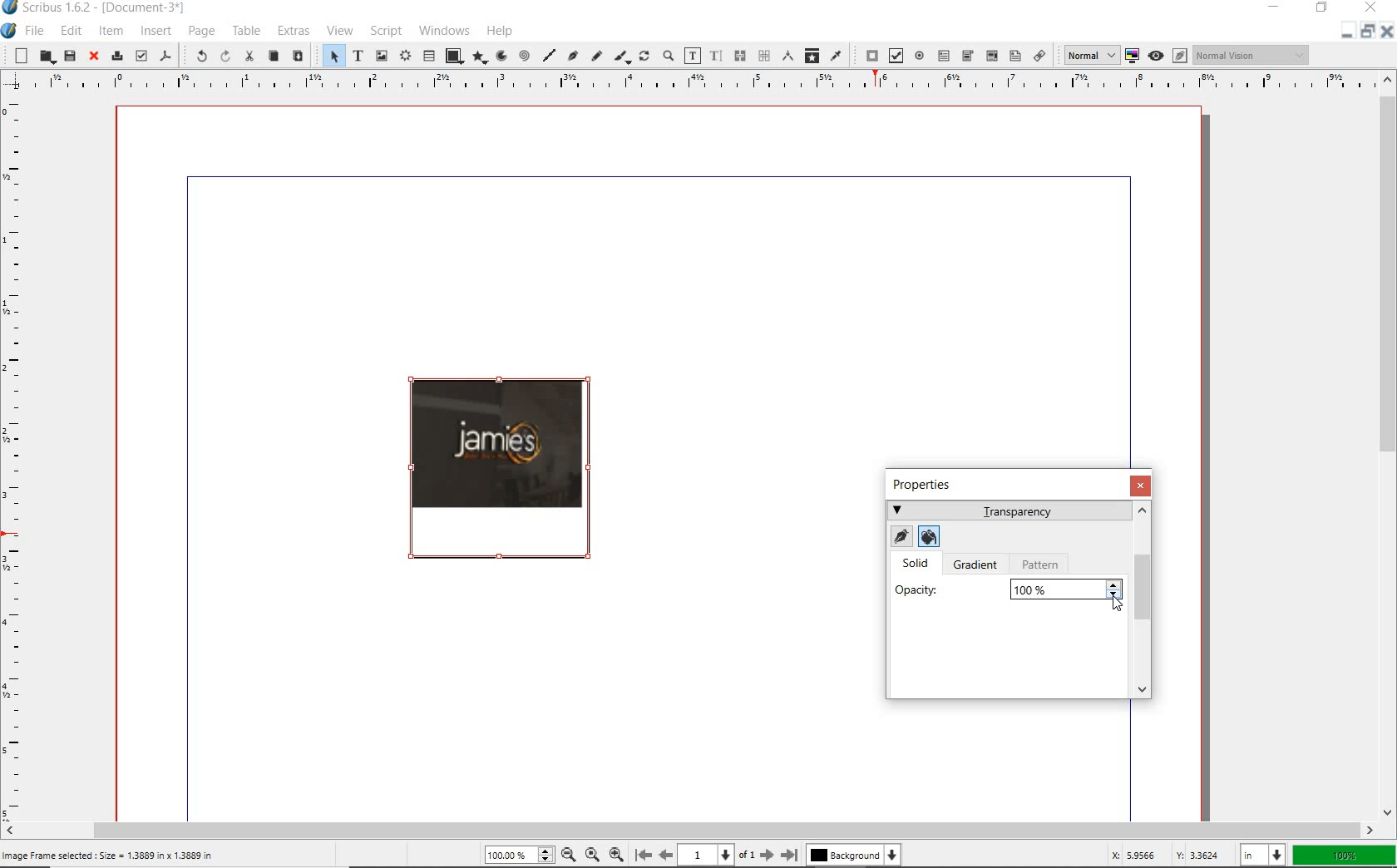  I want to click on SOLID, so click(918, 565).